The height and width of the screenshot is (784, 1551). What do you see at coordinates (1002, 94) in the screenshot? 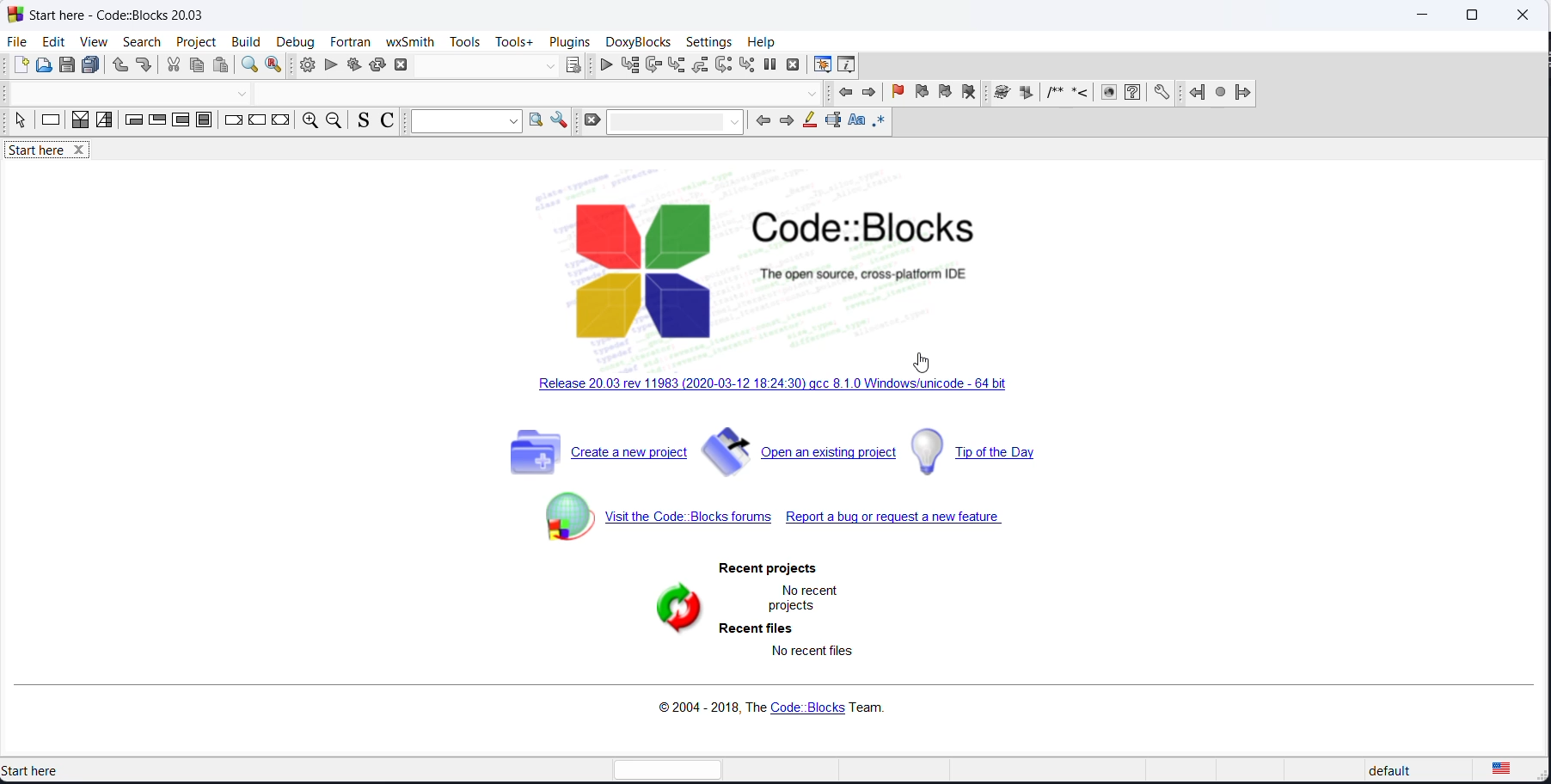
I see `icon` at bounding box center [1002, 94].